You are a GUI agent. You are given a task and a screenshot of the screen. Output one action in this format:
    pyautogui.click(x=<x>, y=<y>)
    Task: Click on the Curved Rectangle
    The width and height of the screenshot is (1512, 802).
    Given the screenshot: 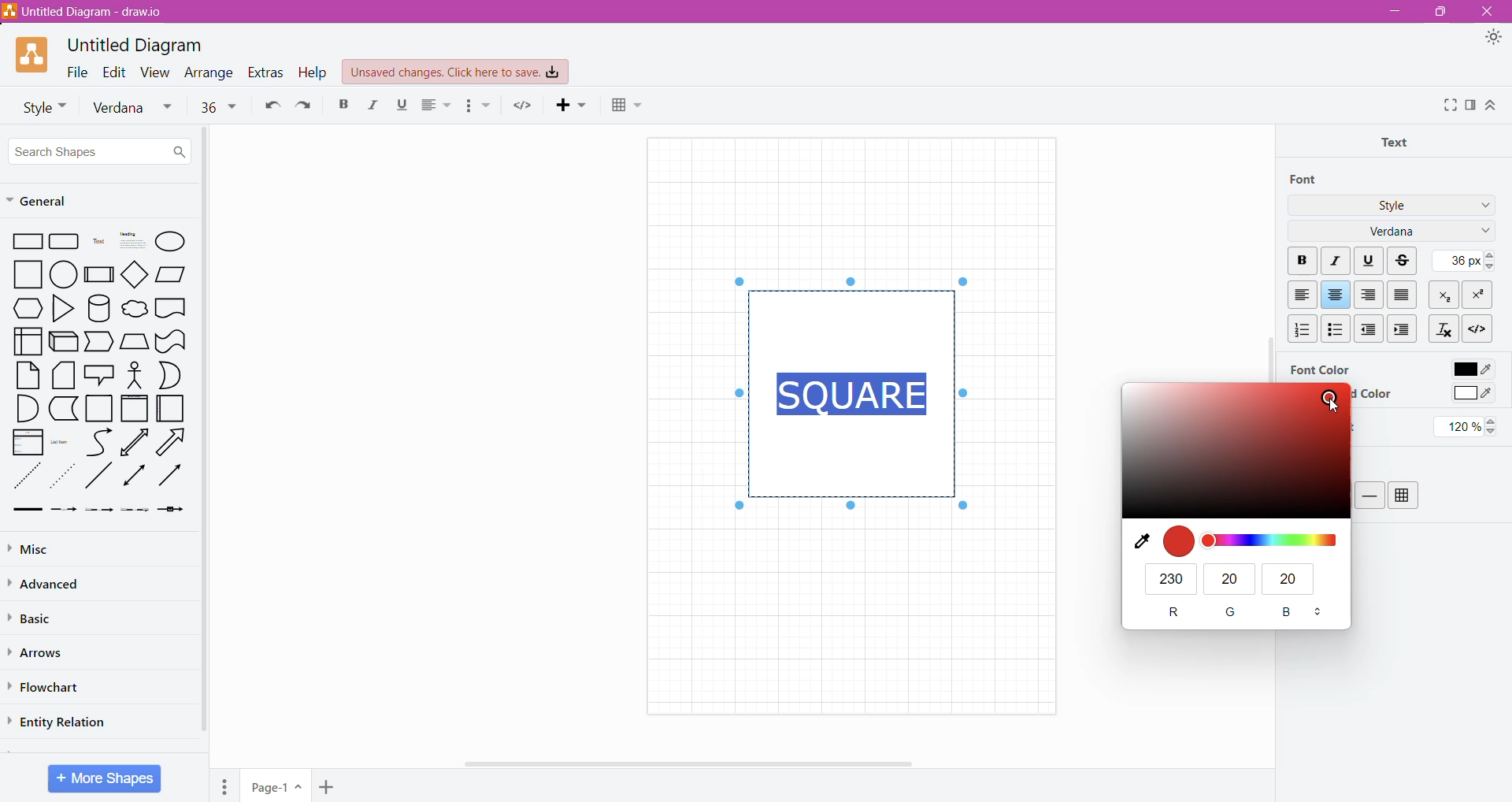 What is the action you would take?
    pyautogui.click(x=170, y=340)
    